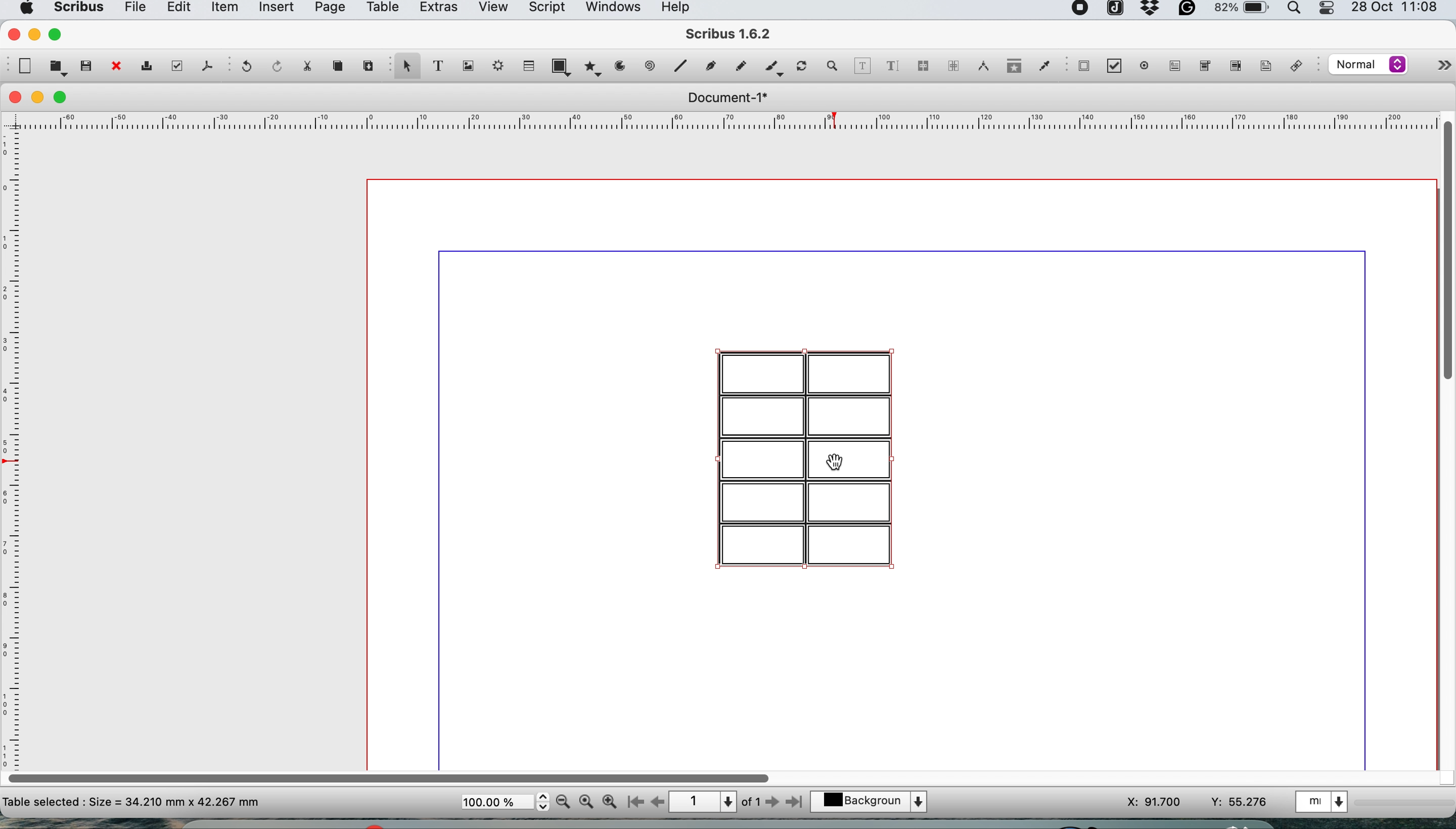 The width and height of the screenshot is (1456, 829). I want to click on measurements, so click(980, 66).